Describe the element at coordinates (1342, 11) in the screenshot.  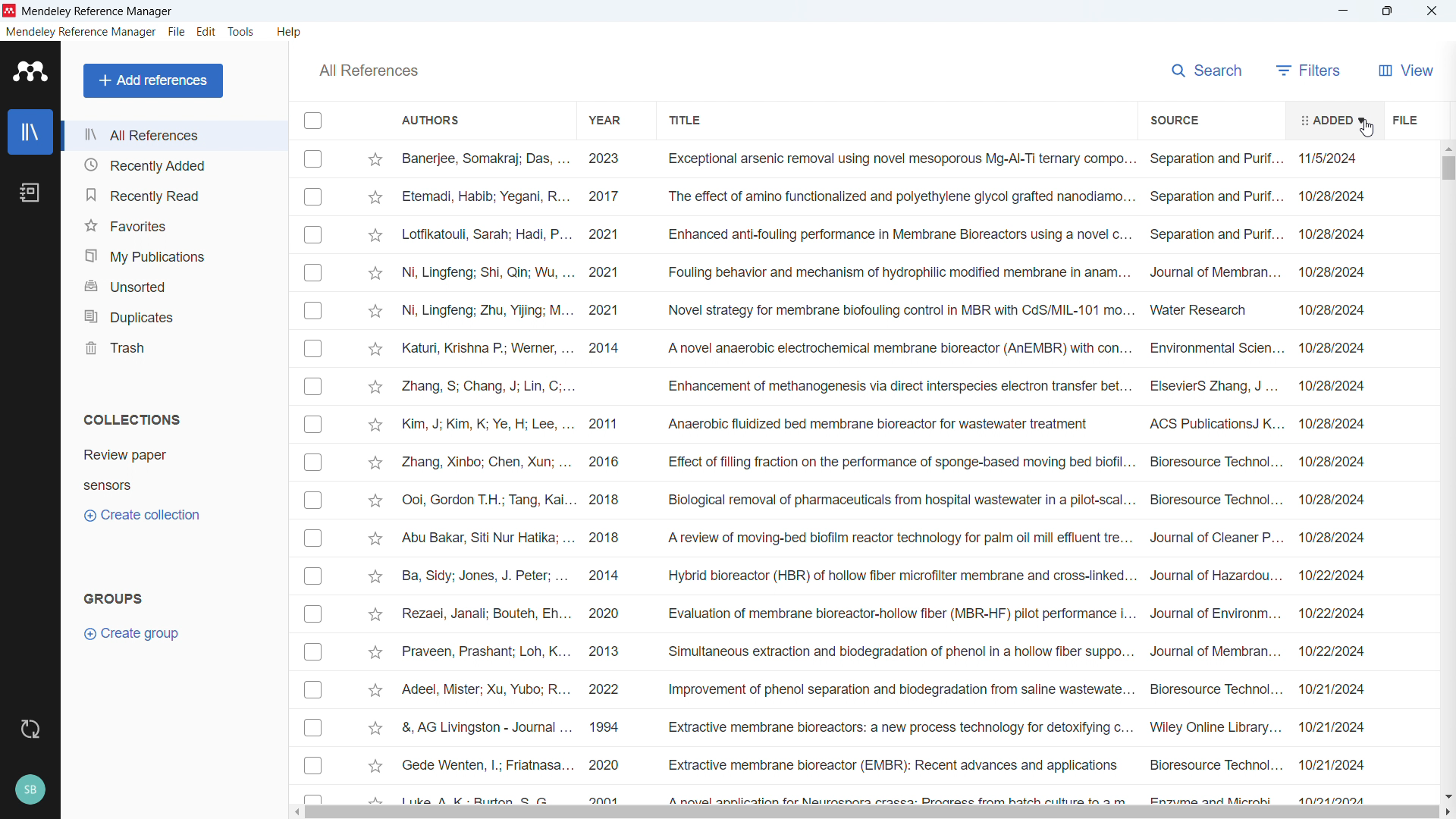
I see `minimise ` at that location.